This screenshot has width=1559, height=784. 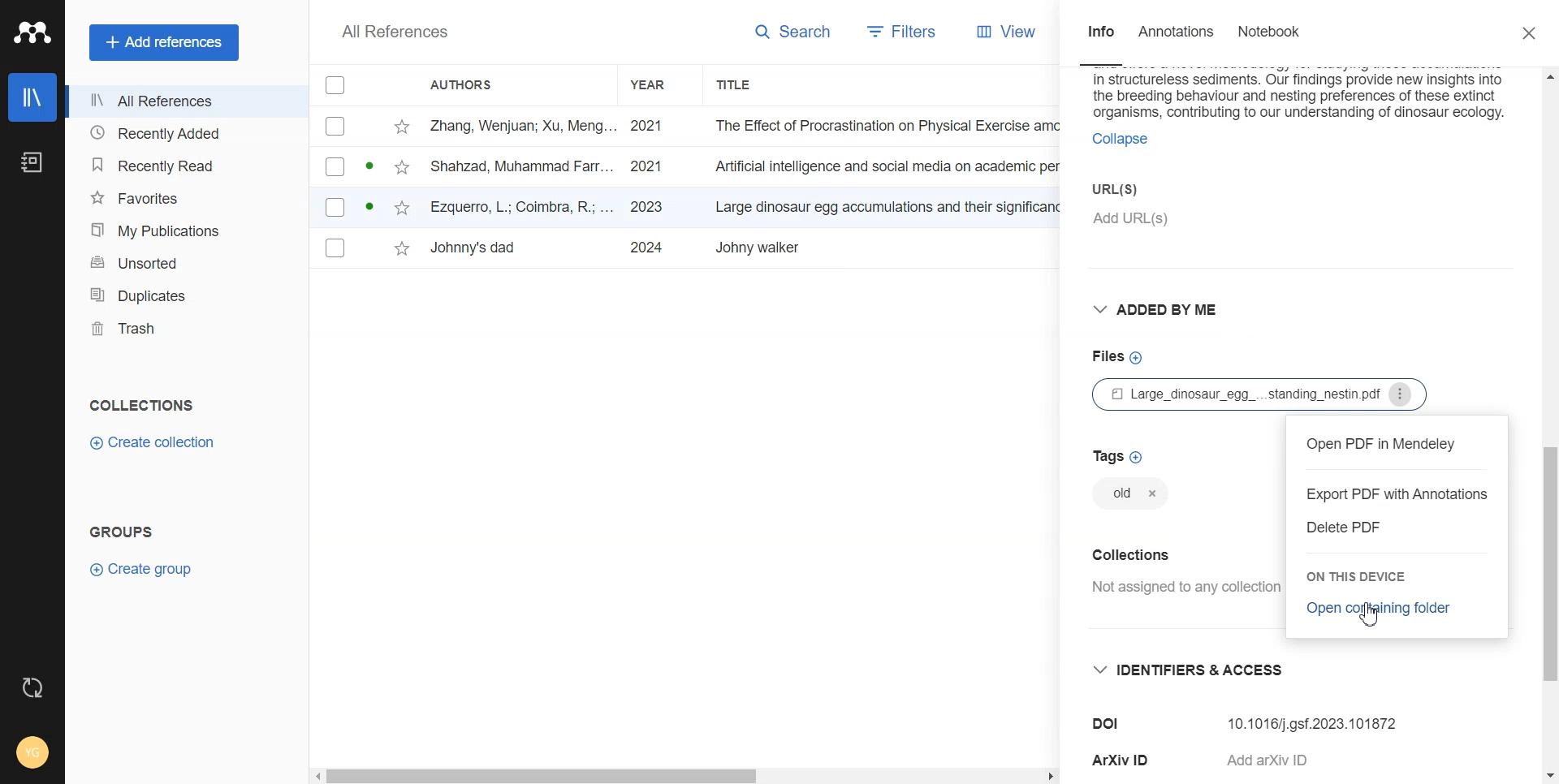 I want to click on Add files, so click(x=1116, y=356).